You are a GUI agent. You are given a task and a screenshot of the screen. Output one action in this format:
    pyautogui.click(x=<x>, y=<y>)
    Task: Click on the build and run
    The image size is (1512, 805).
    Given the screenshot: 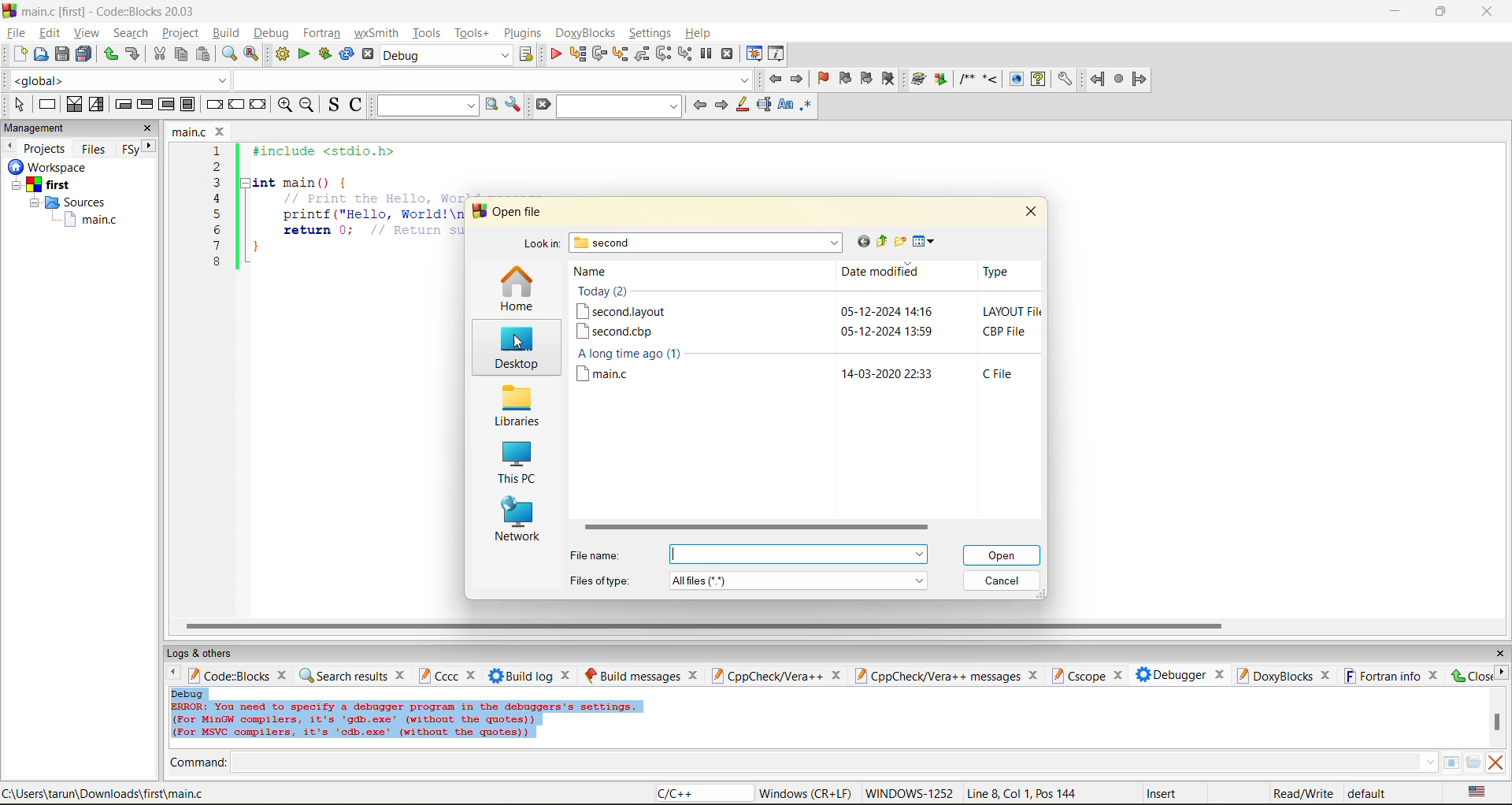 What is the action you would take?
    pyautogui.click(x=325, y=54)
    